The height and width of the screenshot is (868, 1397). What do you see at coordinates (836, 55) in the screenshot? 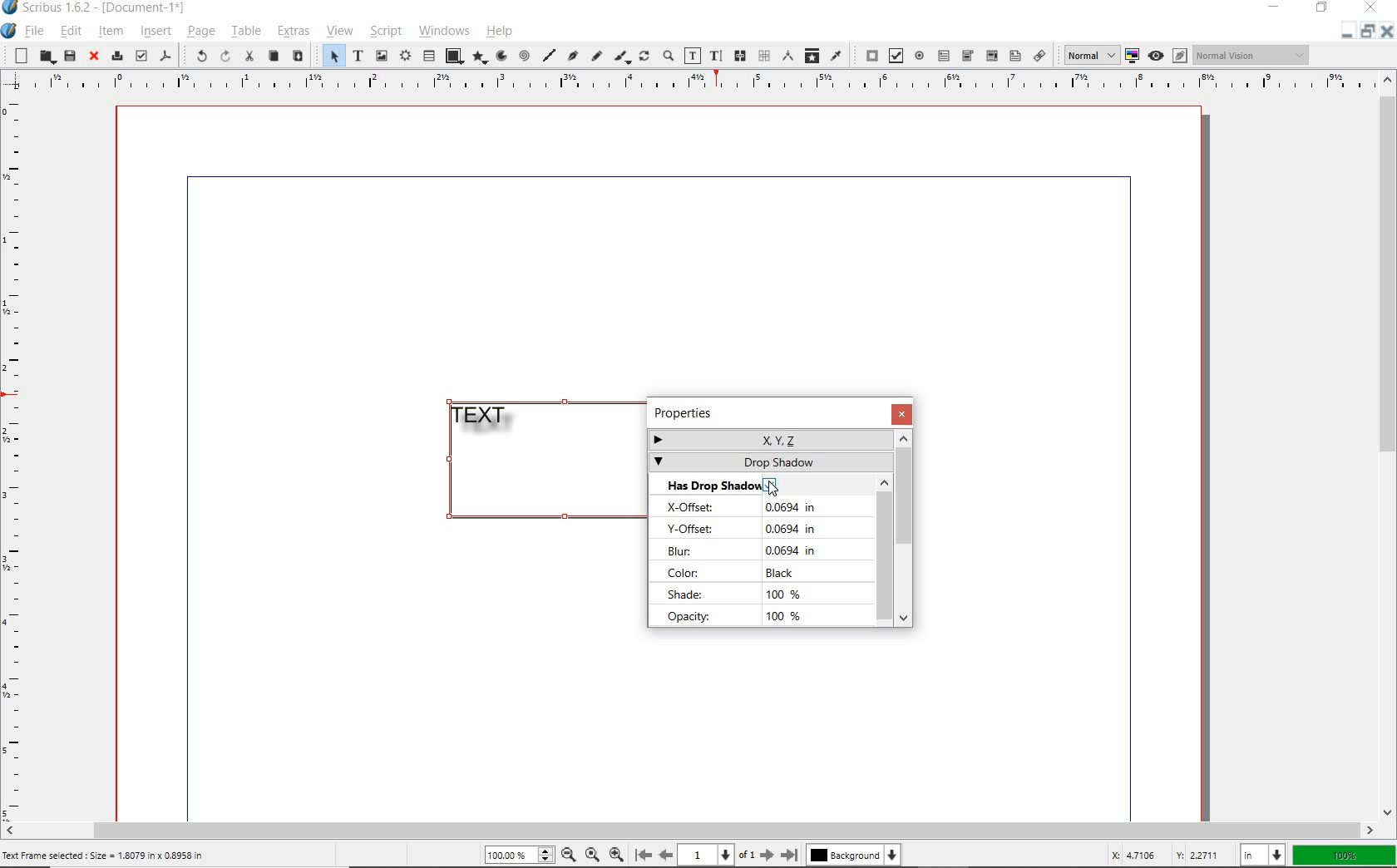
I see `eye dropper` at bounding box center [836, 55].